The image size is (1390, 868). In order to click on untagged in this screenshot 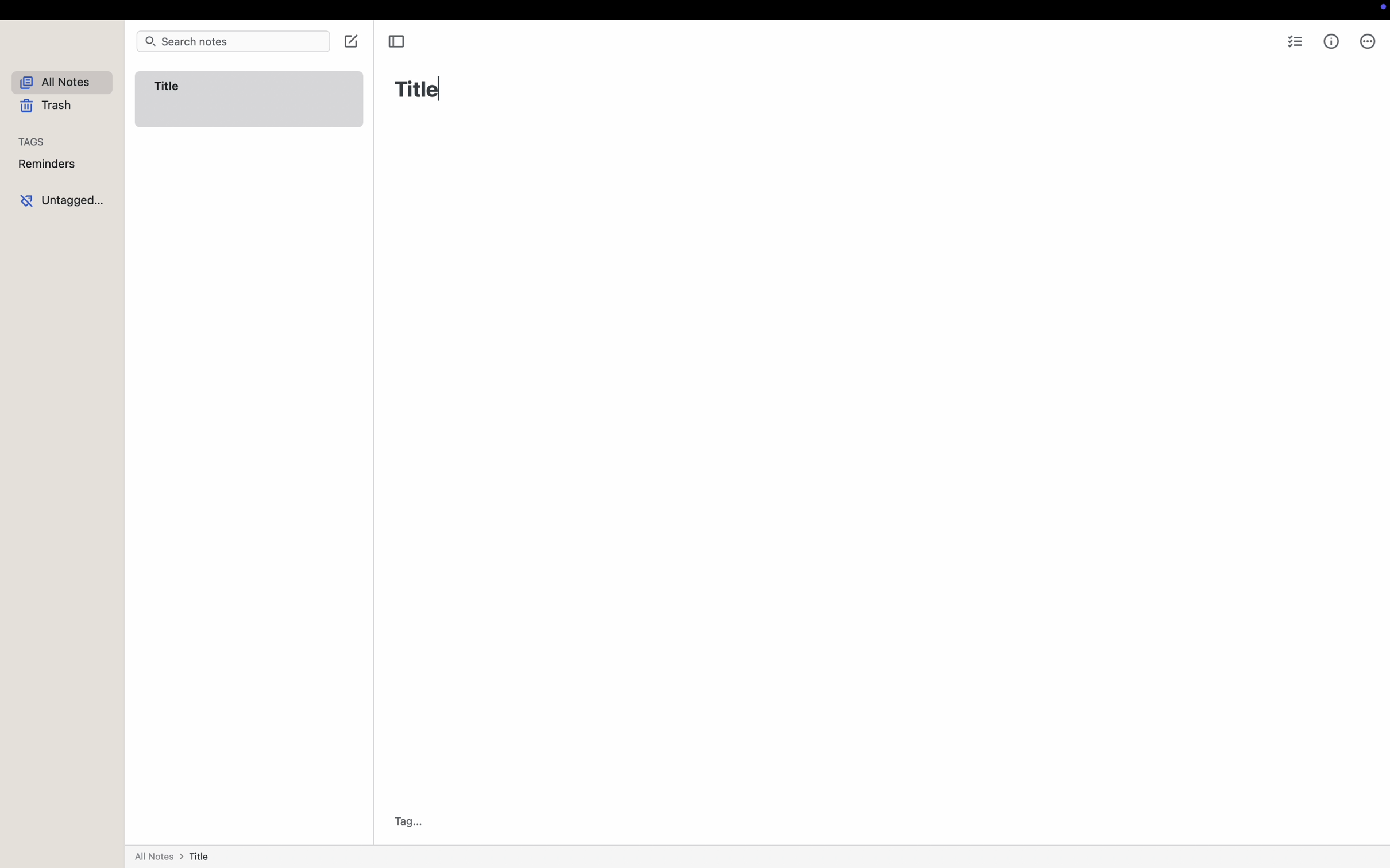, I will do `click(61, 199)`.